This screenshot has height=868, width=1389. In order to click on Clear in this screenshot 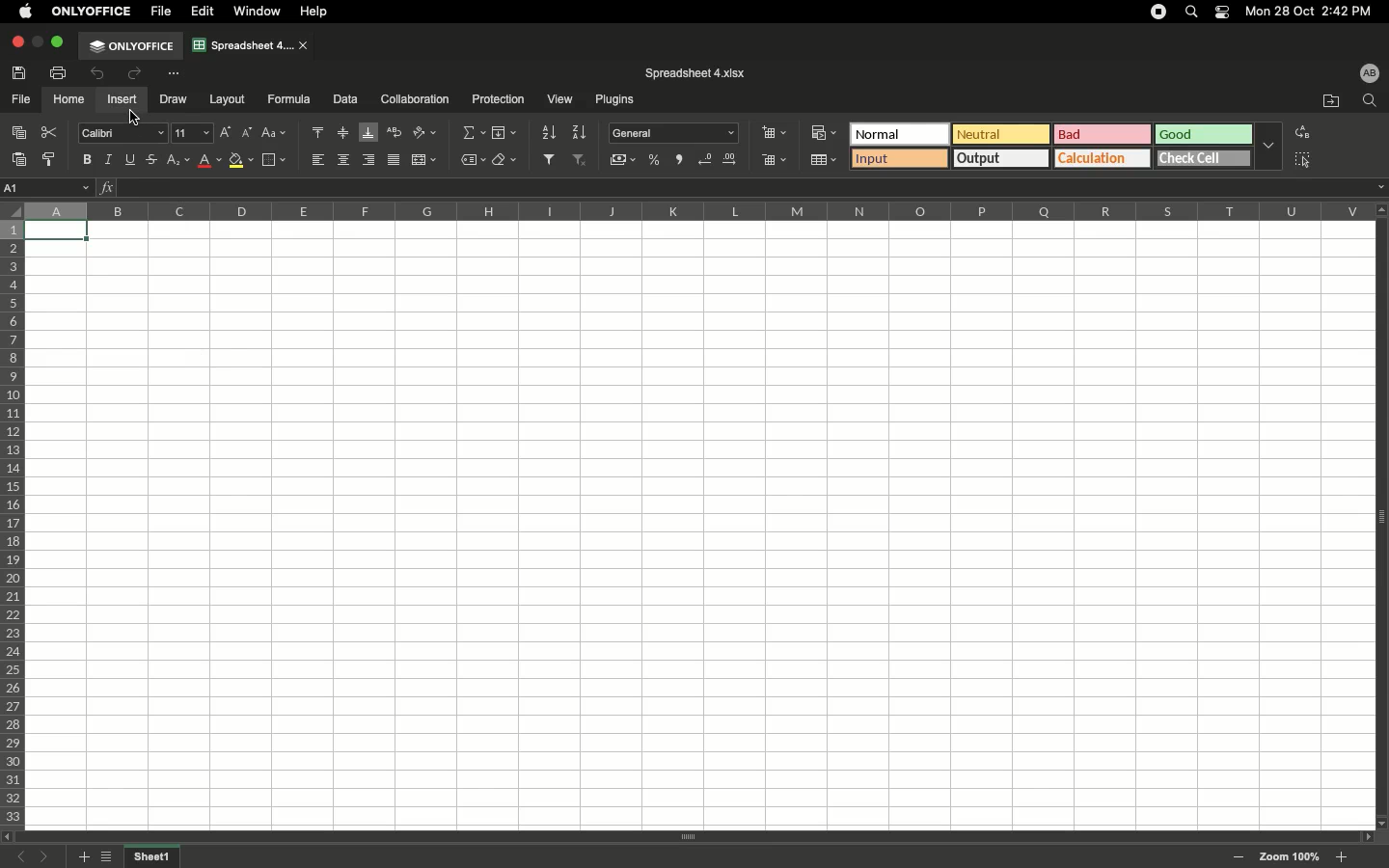, I will do `click(505, 161)`.